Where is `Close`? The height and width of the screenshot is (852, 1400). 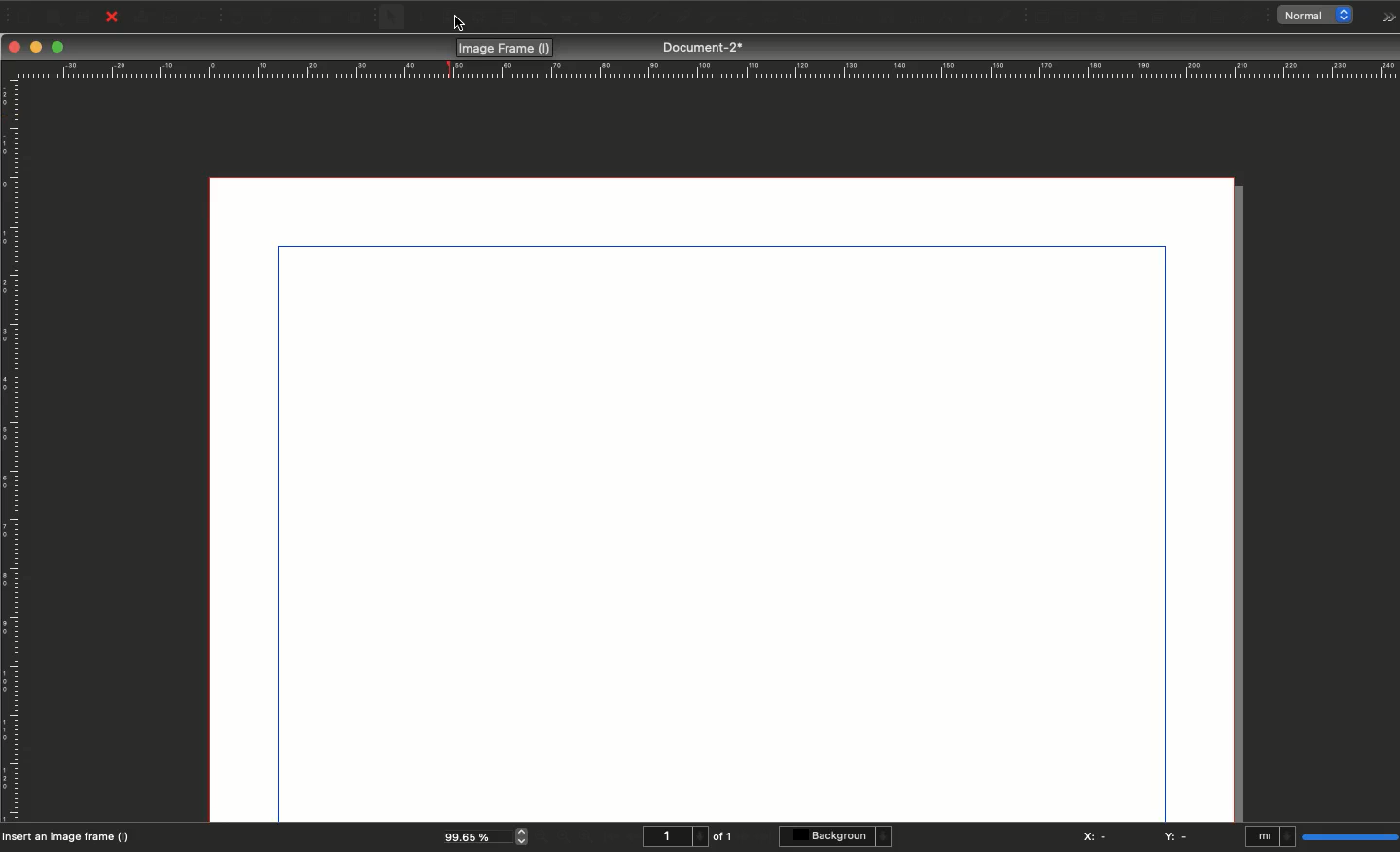 Close is located at coordinates (15, 47).